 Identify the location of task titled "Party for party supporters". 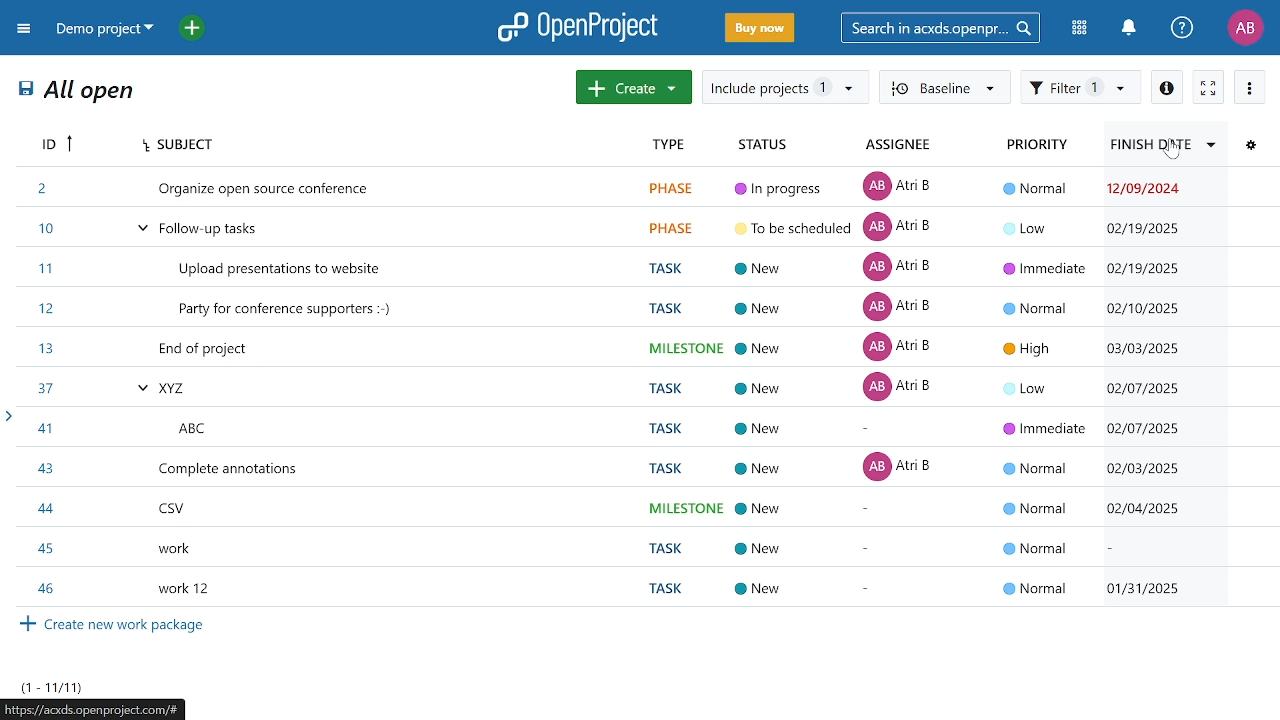
(650, 307).